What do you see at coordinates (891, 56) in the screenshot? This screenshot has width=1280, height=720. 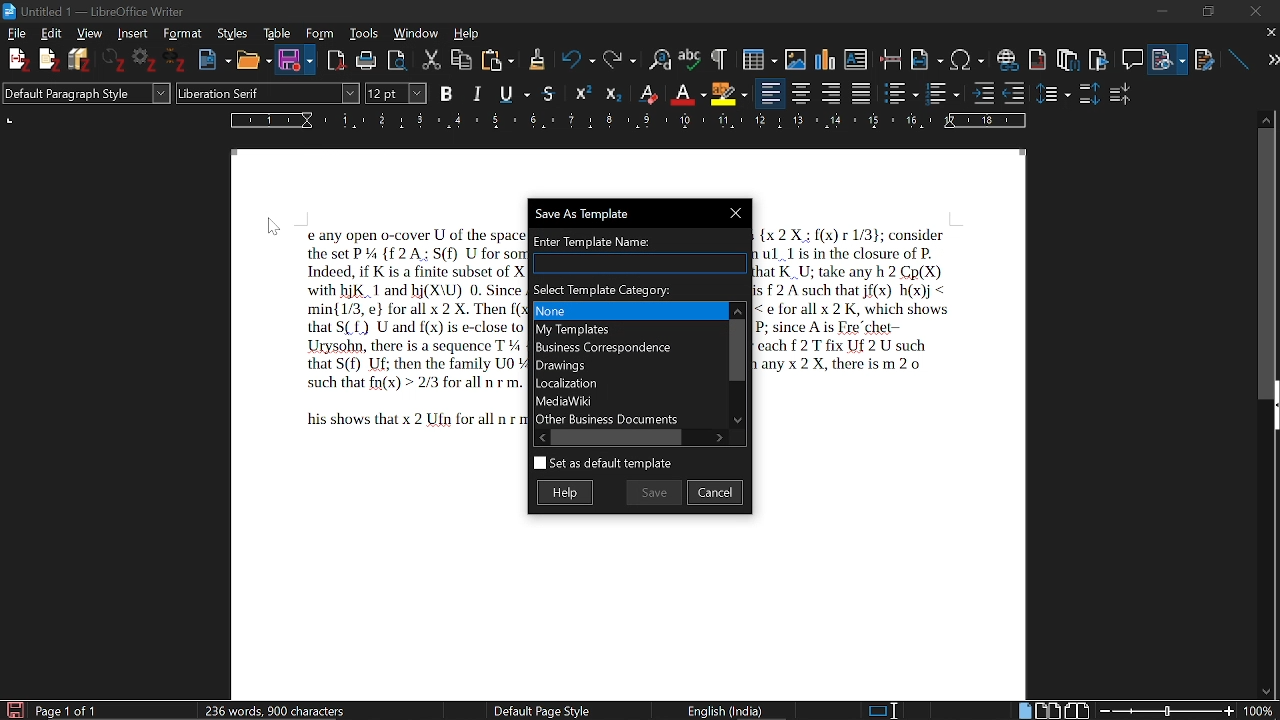 I see `Insert page break` at bounding box center [891, 56].